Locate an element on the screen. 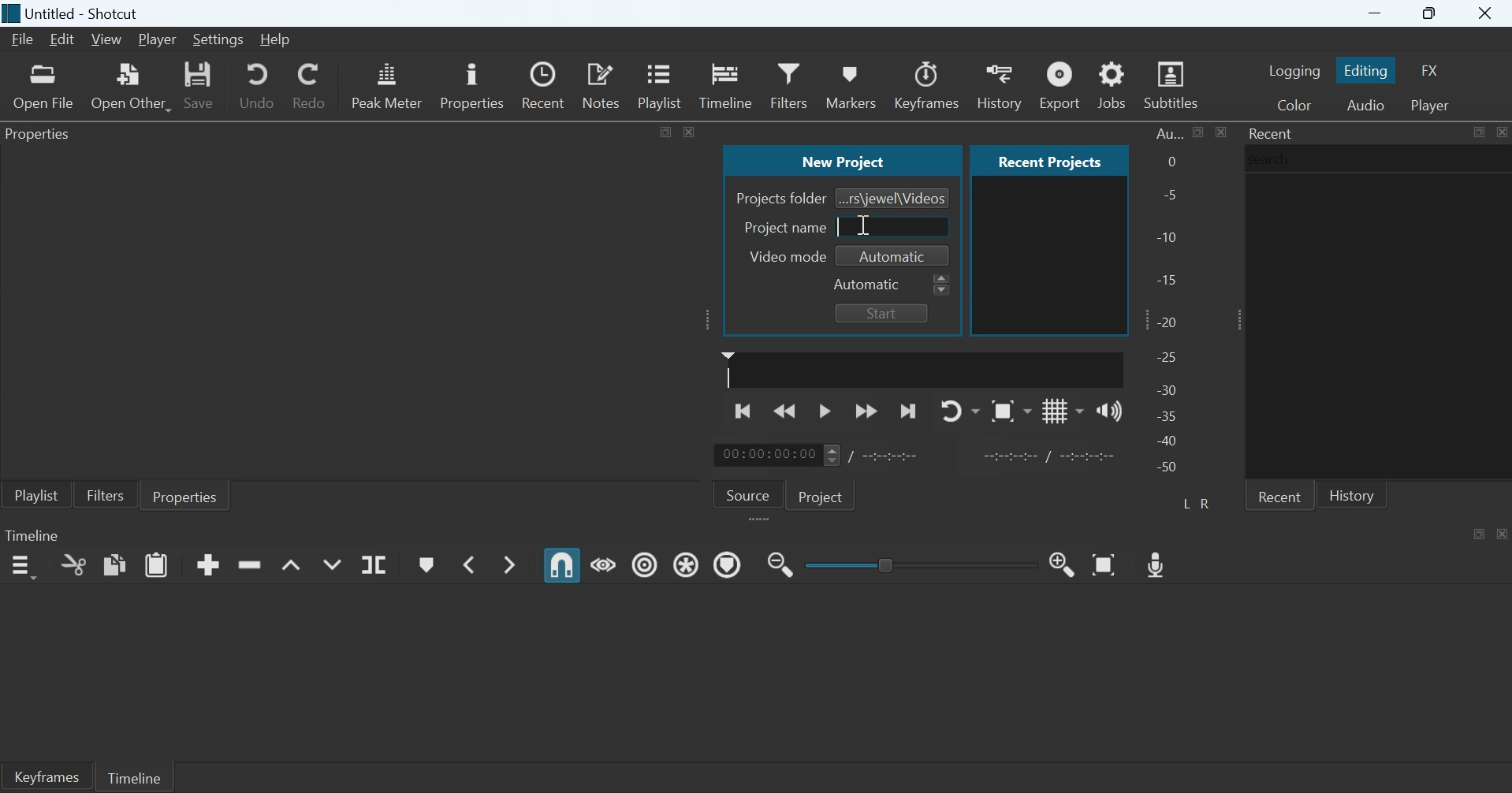  New Project is located at coordinates (844, 159).